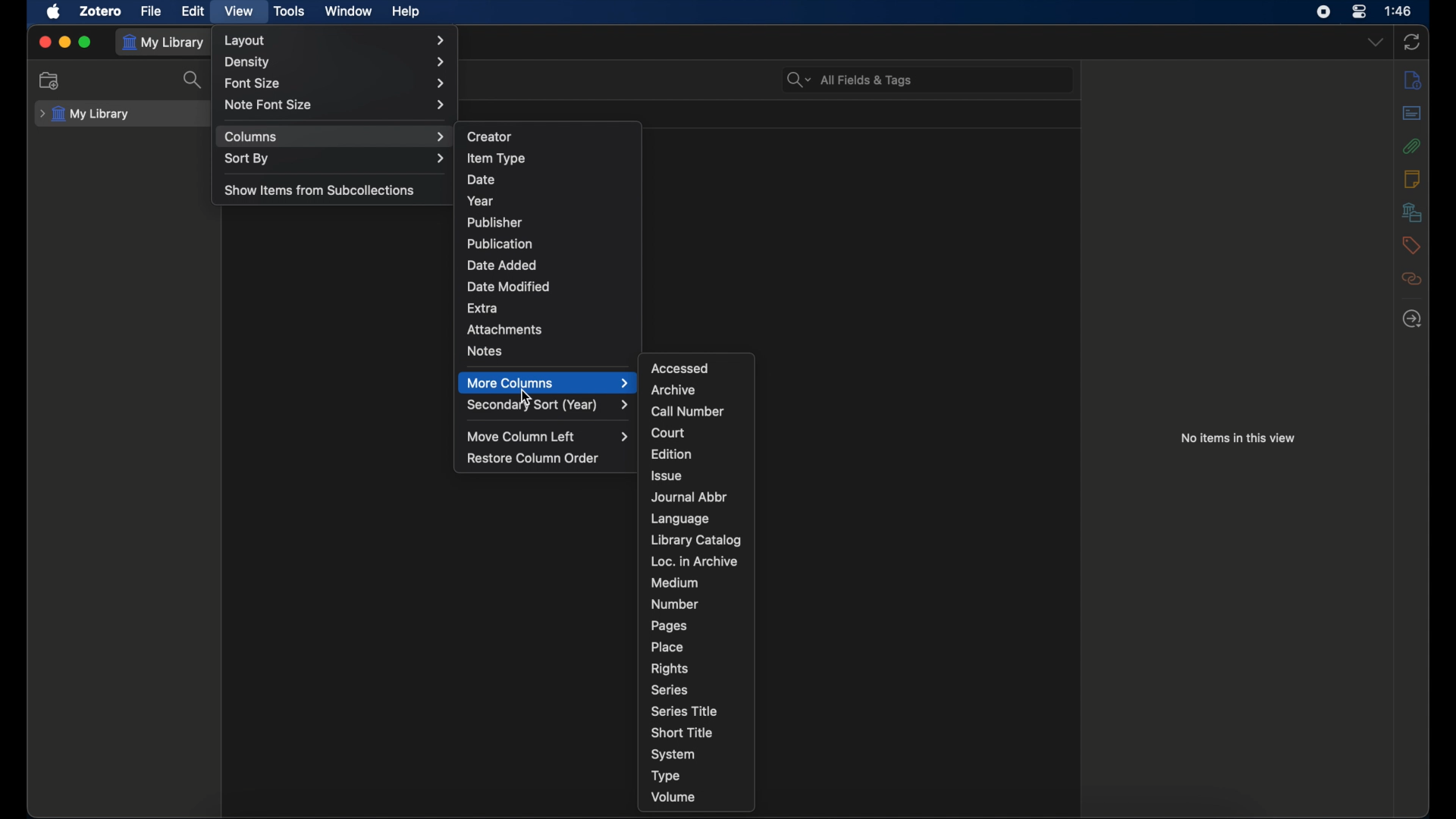 The width and height of the screenshot is (1456, 819). What do you see at coordinates (194, 11) in the screenshot?
I see `edit` at bounding box center [194, 11].